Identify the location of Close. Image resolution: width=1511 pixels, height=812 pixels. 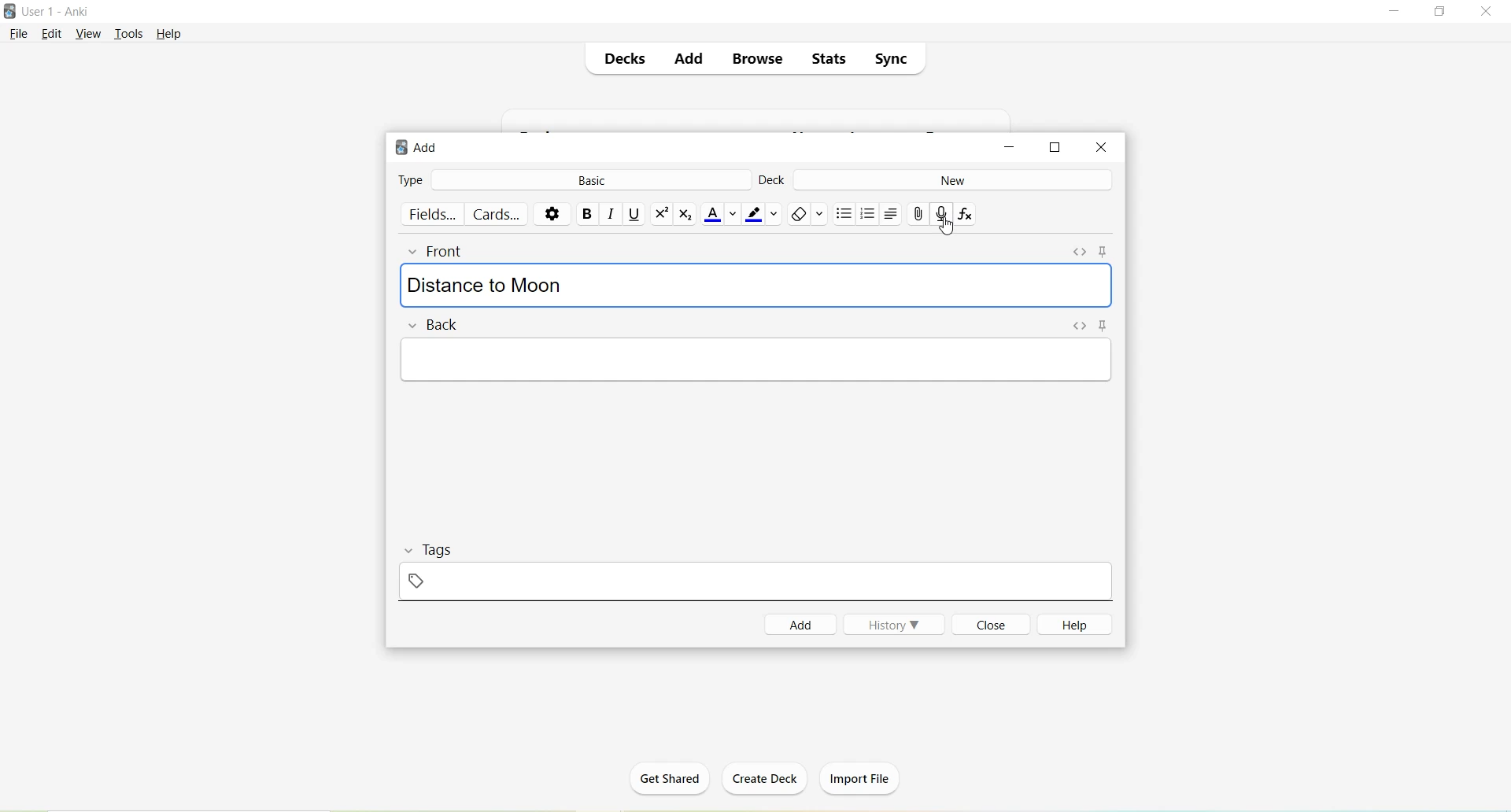
(1486, 12).